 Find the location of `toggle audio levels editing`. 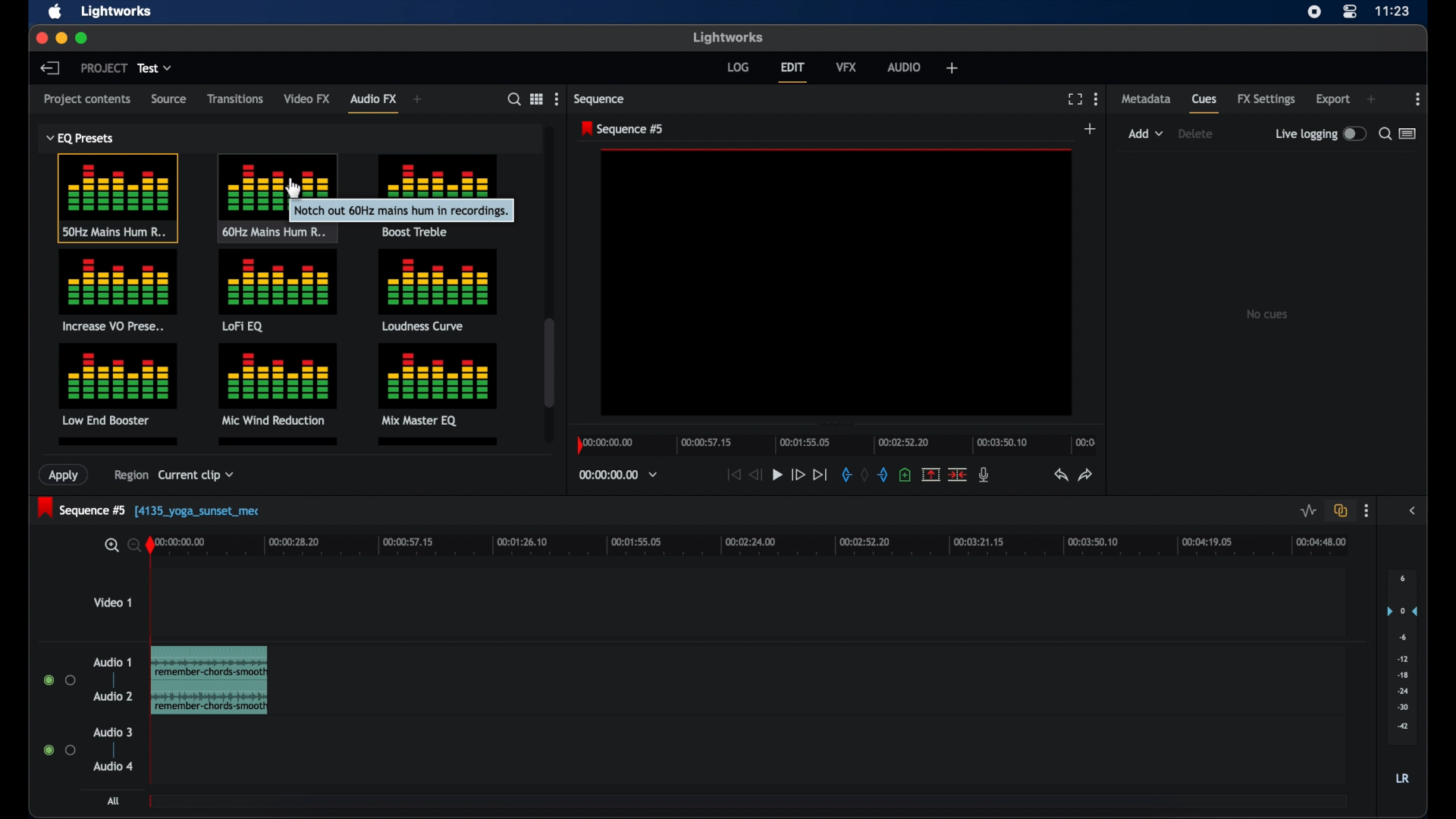

toggle audio levels editing is located at coordinates (1307, 510).